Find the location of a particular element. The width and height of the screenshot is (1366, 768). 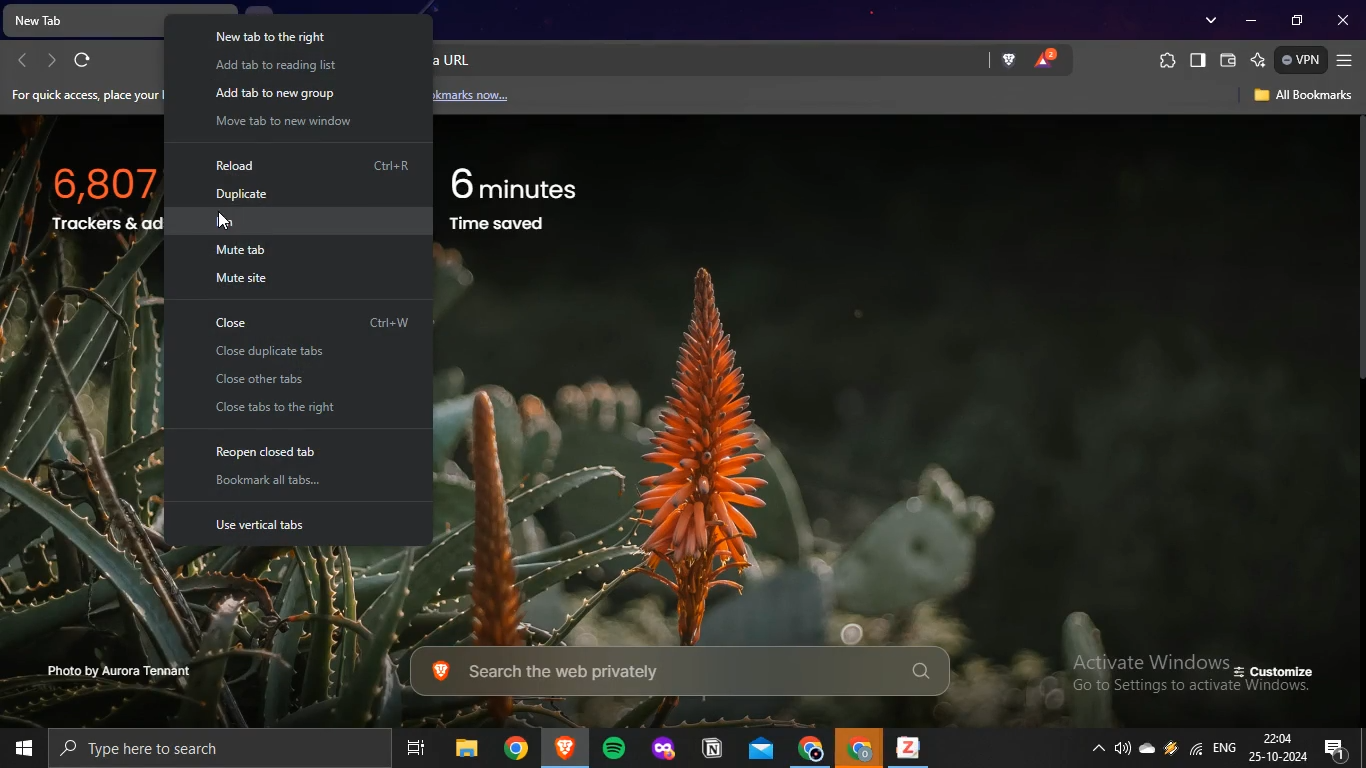

new tab to the right is located at coordinates (281, 36).